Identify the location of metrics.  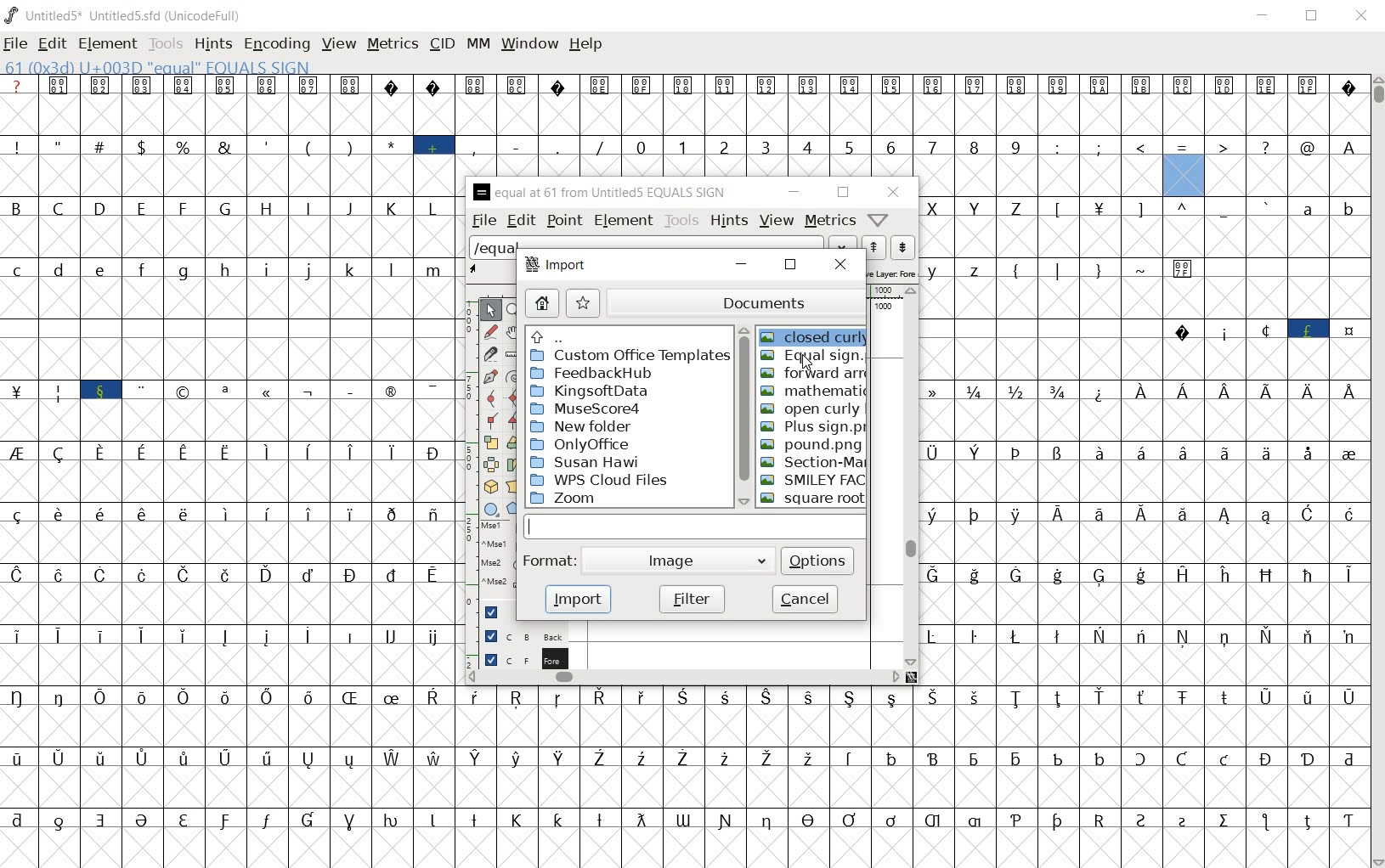
(828, 221).